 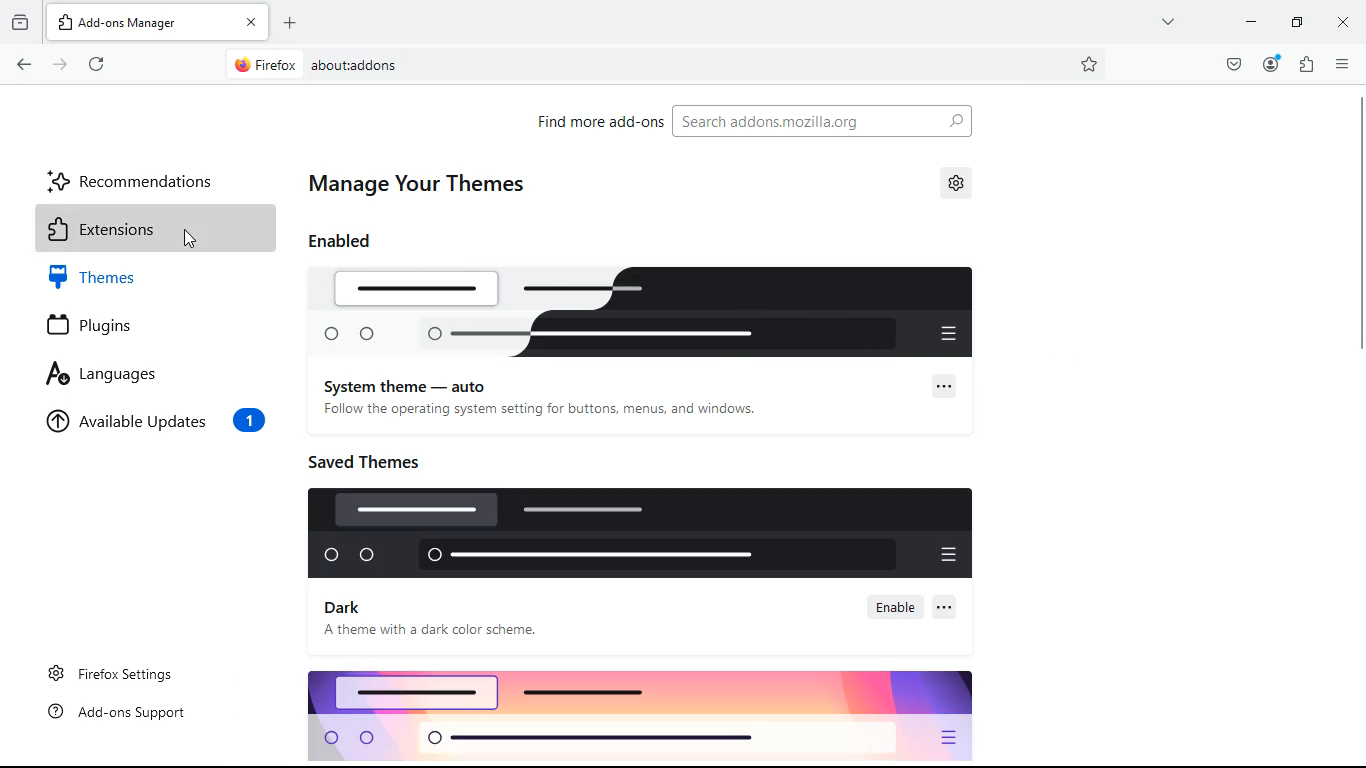 I want to click on maximize, so click(x=1295, y=22).